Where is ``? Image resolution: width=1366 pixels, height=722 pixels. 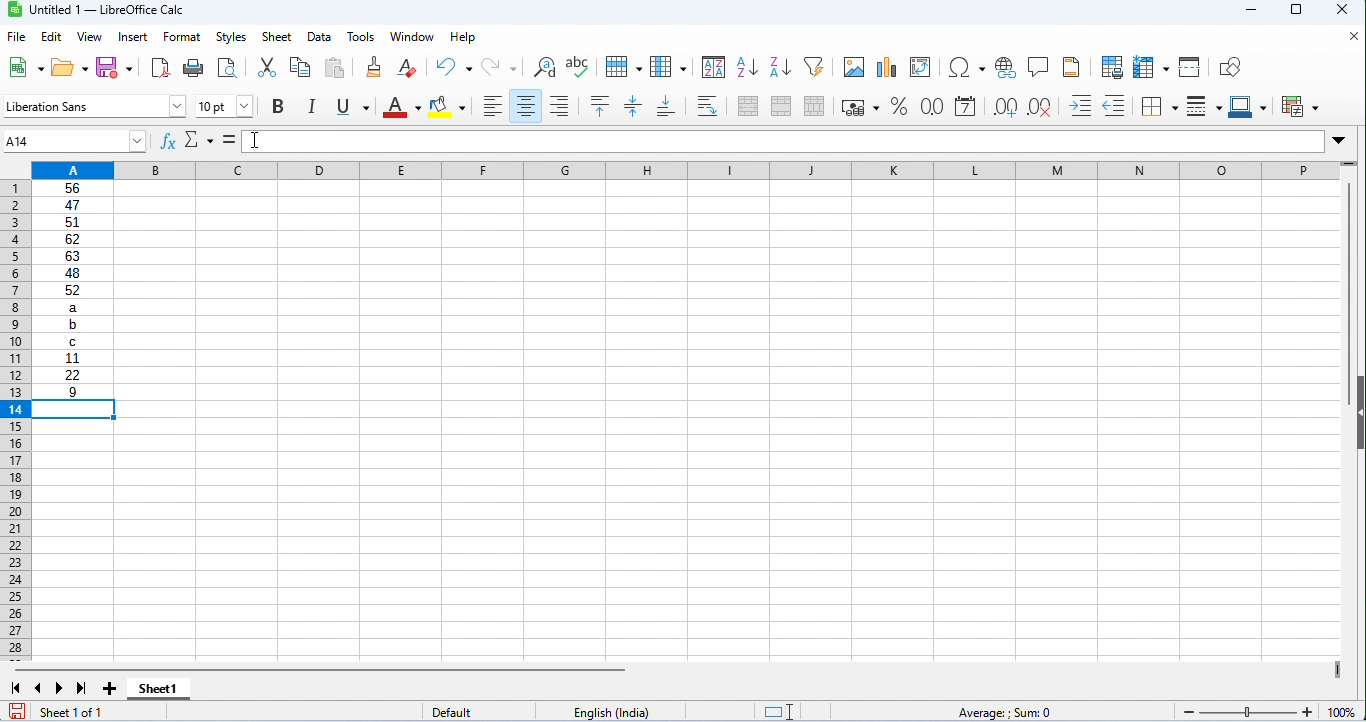  is located at coordinates (278, 107).